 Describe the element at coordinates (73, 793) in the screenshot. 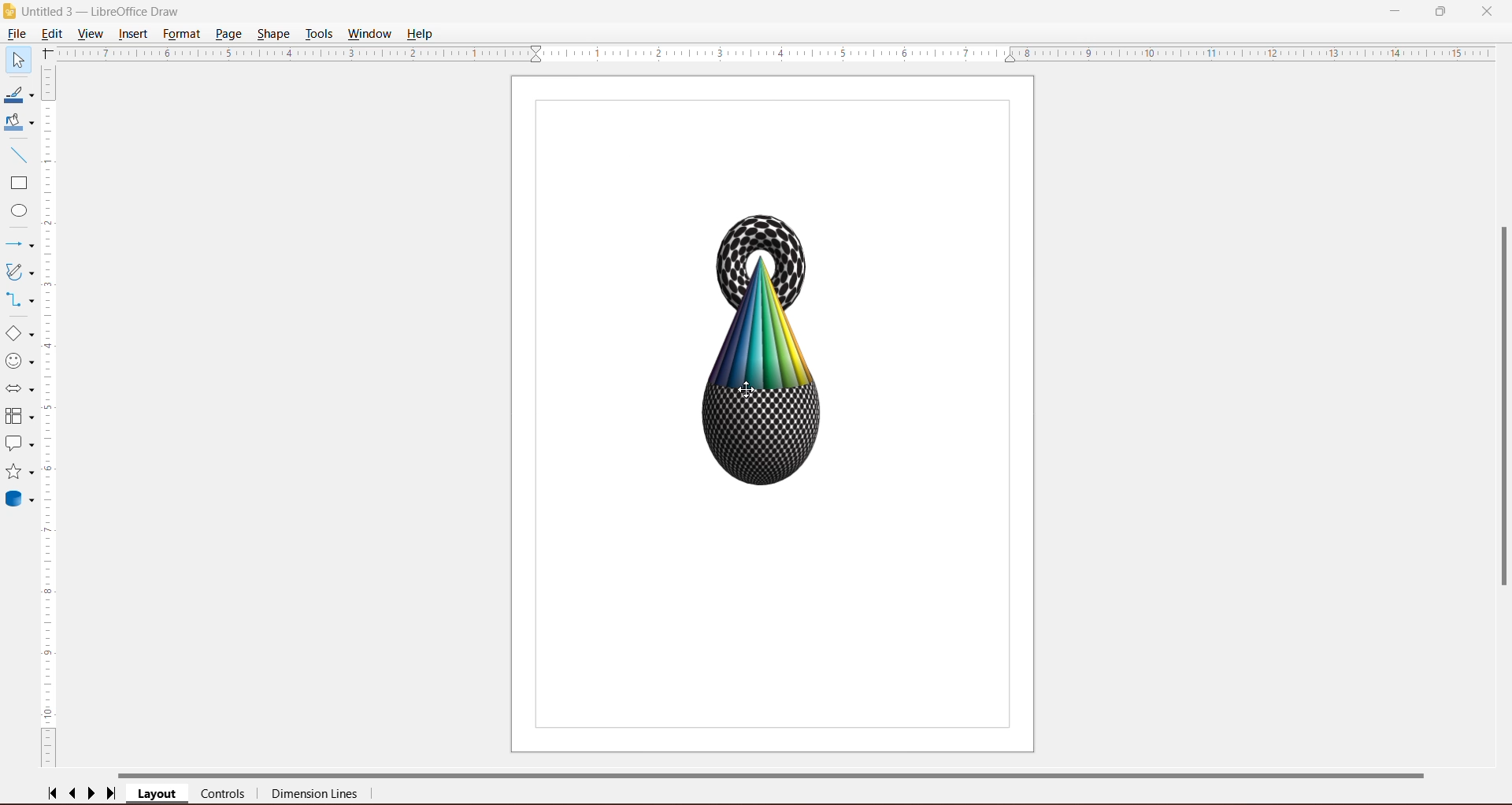

I see `Scroll to previous page` at that location.